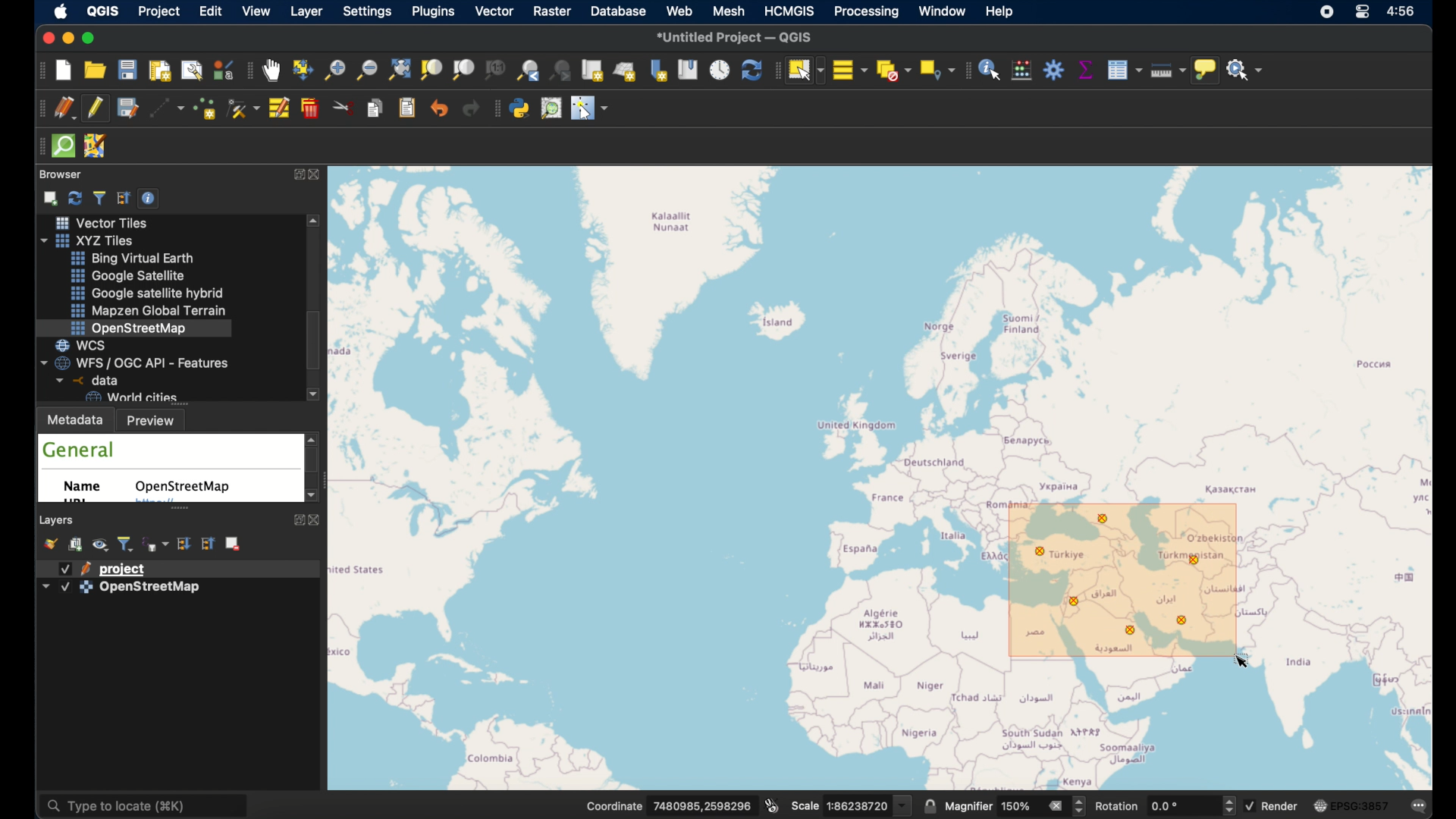 This screenshot has width=1456, height=819. What do you see at coordinates (893, 71) in the screenshot?
I see `deselect features from all layers` at bounding box center [893, 71].